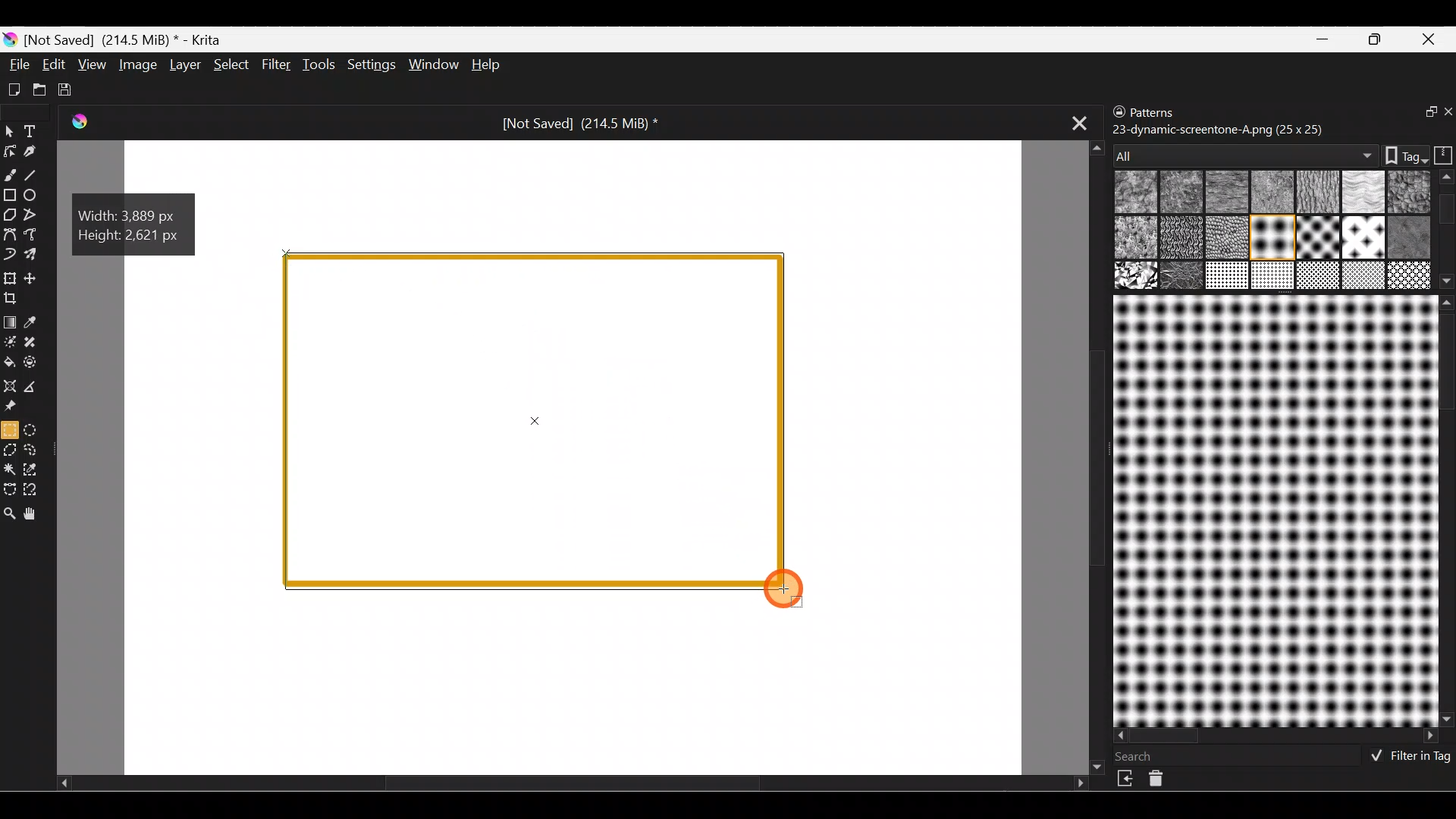 This screenshot has height=819, width=1456. Describe the element at coordinates (1137, 277) in the screenshot. I see `14 Texture_rock.png` at that location.